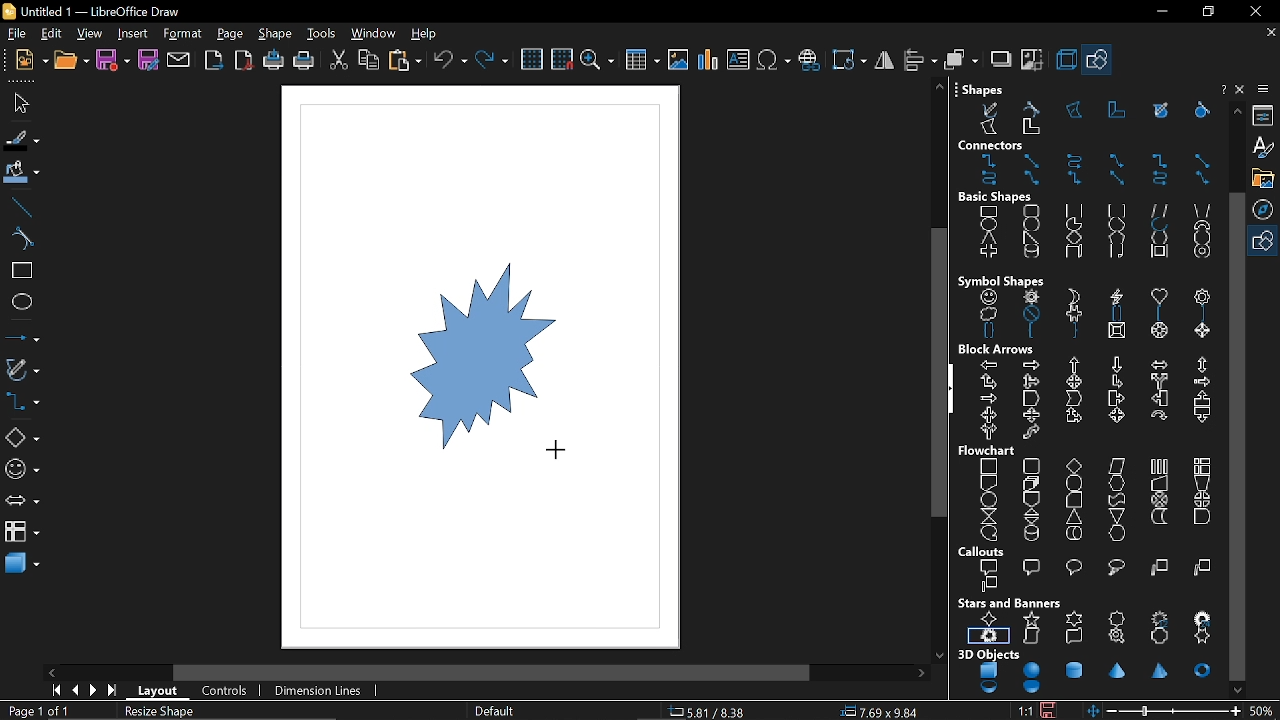 Image resolution: width=1280 pixels, height=720 pixels. Describe the element at coordinates (21, 239) in the screenshot. I see `curve` at that location.